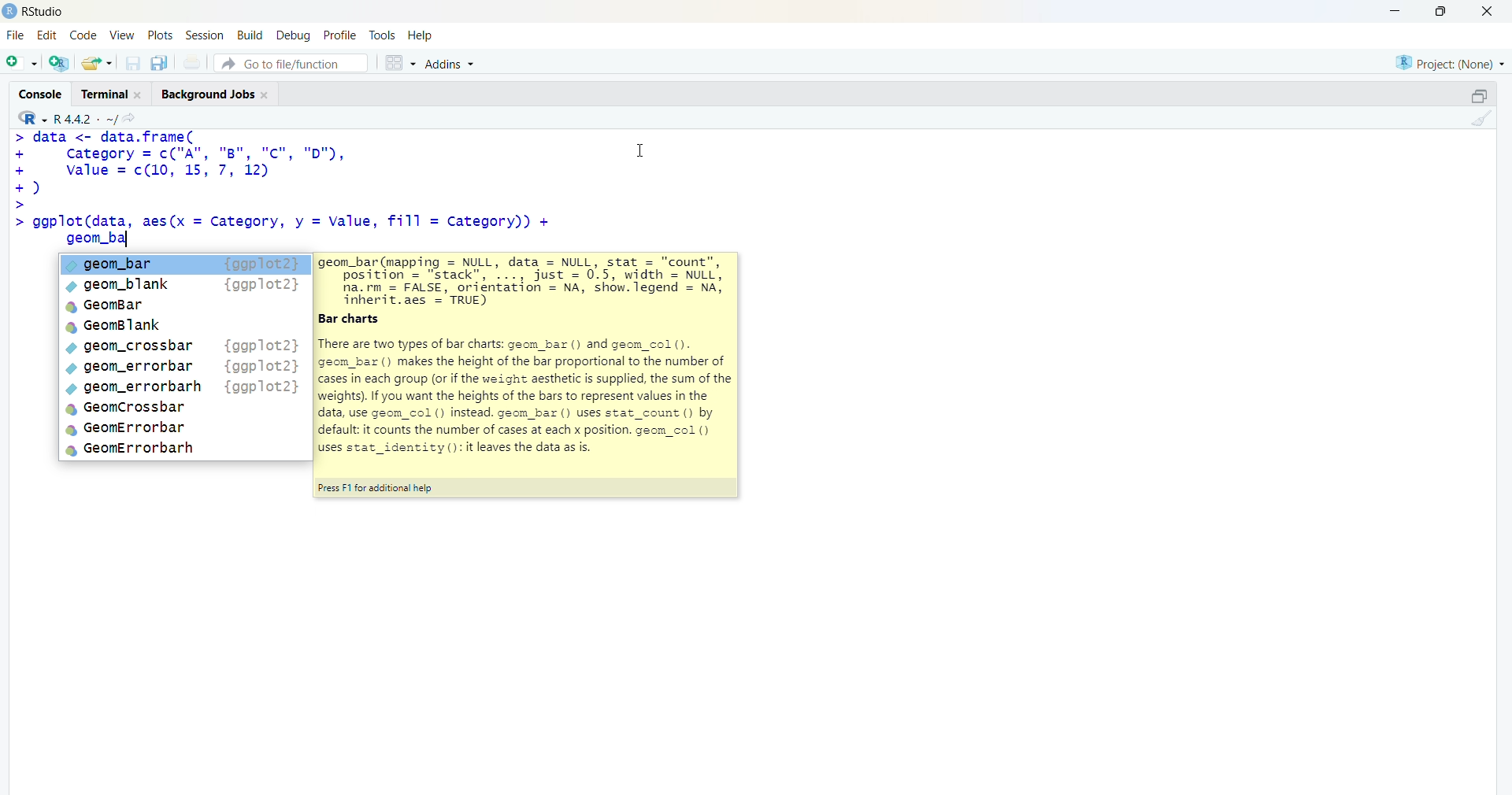 The width and height of the screenshot is (1512, 795). Describe the element at coordinates (83, 35) in the screenshot. I see `code` at that location.